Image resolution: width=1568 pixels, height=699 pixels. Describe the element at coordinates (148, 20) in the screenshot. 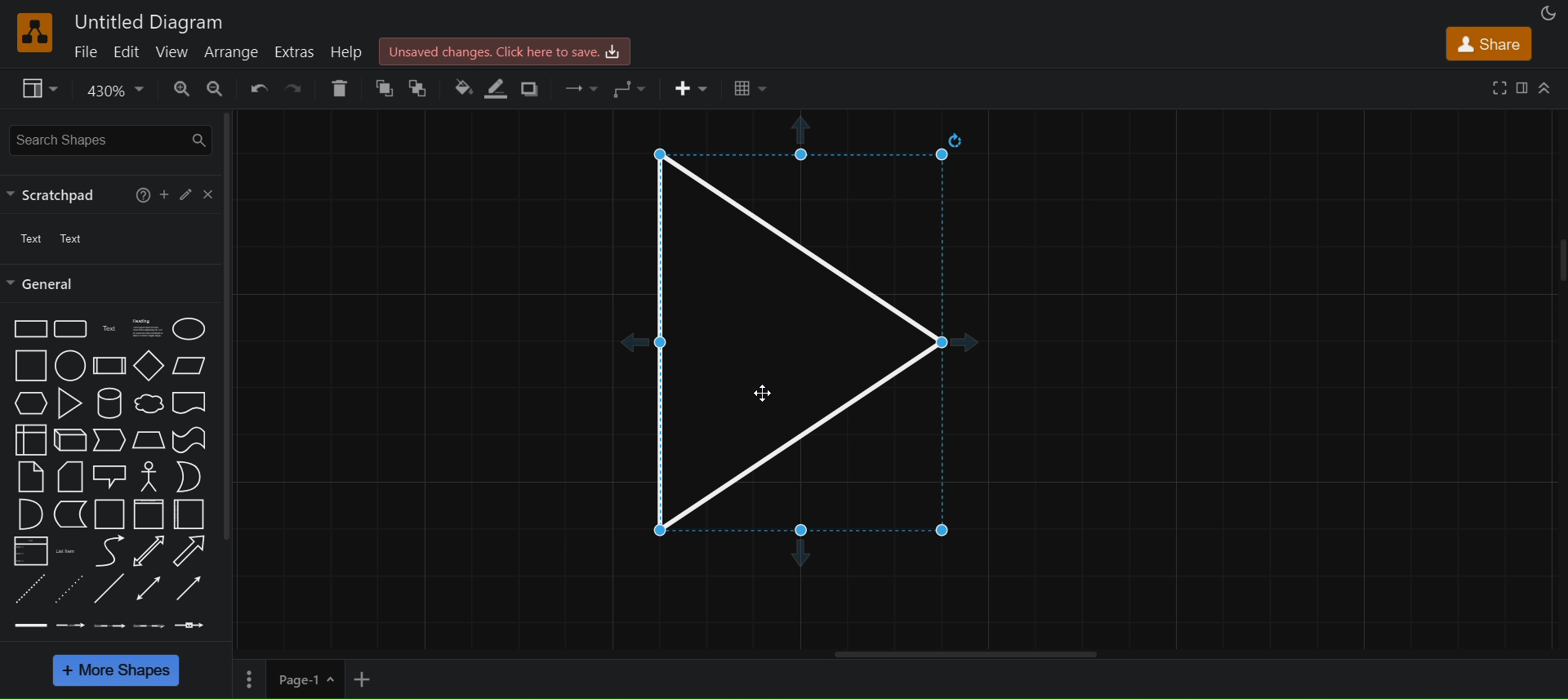

I see `Untitled Diagram` at that location.